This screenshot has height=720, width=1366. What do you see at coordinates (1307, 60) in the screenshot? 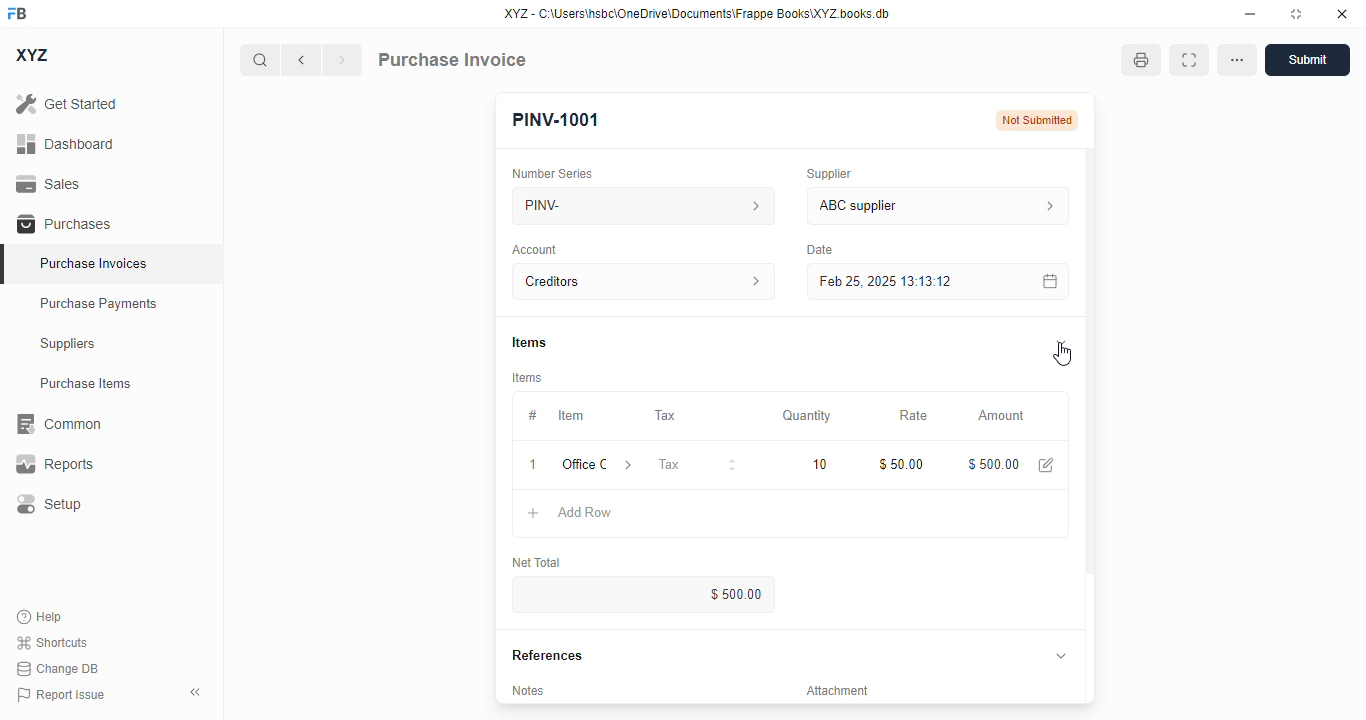
I see `submit` at bounding box center [1307, 60].